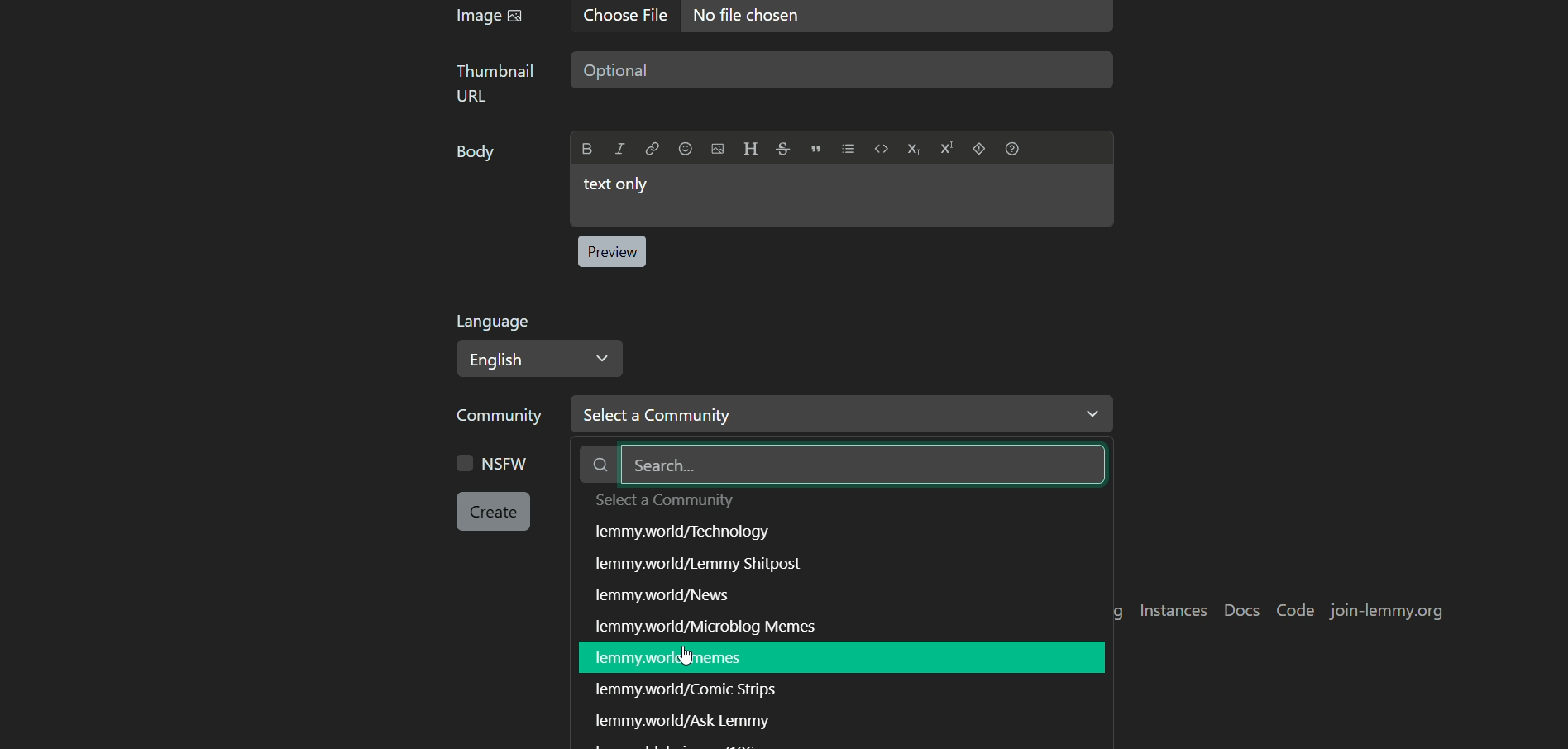 The height and width of the screenshot is (749, 1568). What do you see at coordinates (837, 657) in the screenshot?
I see `highlight` at bounding box center [837, 657].